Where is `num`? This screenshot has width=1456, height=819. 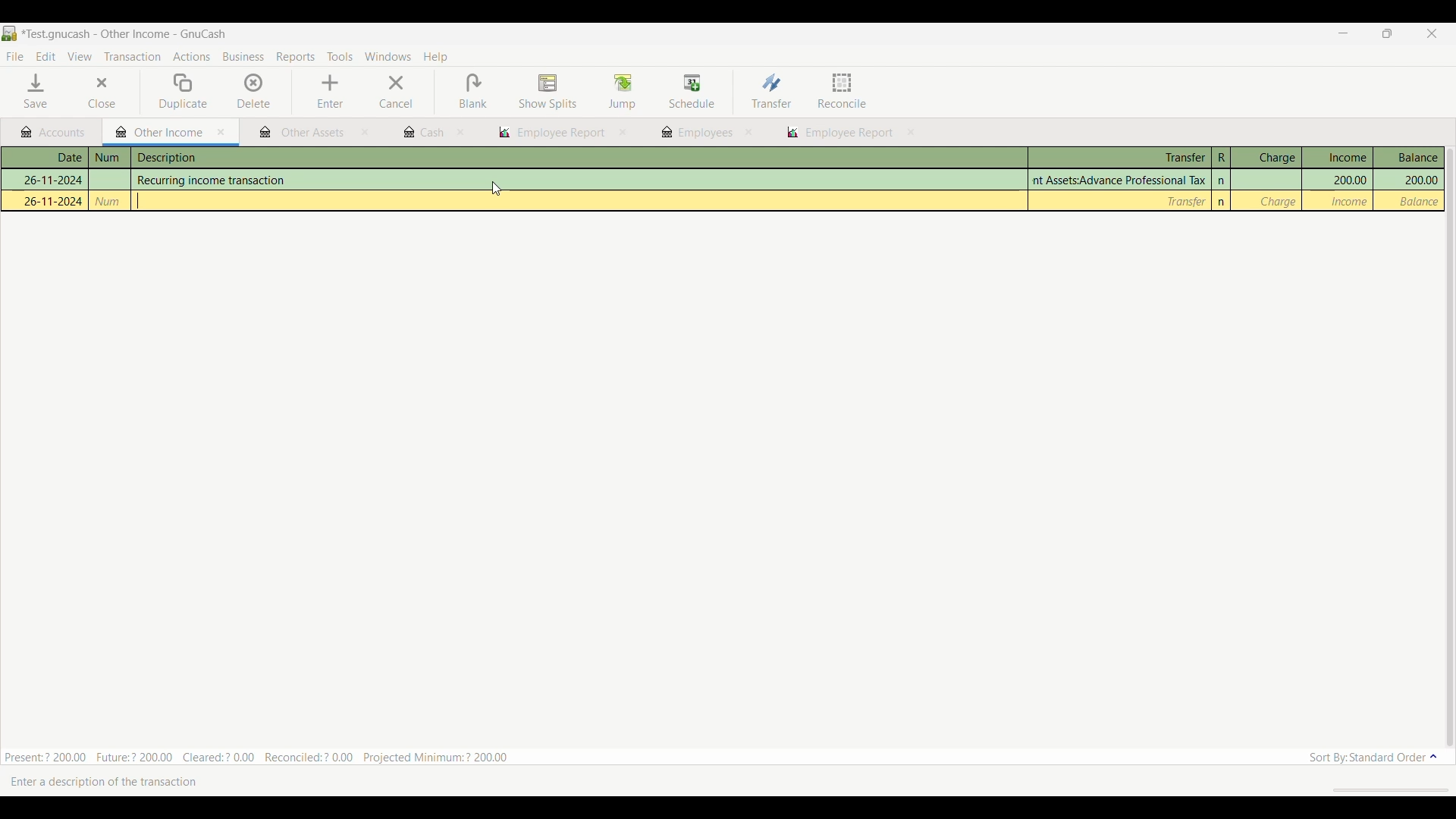
num is located at coordinates (109, 158).